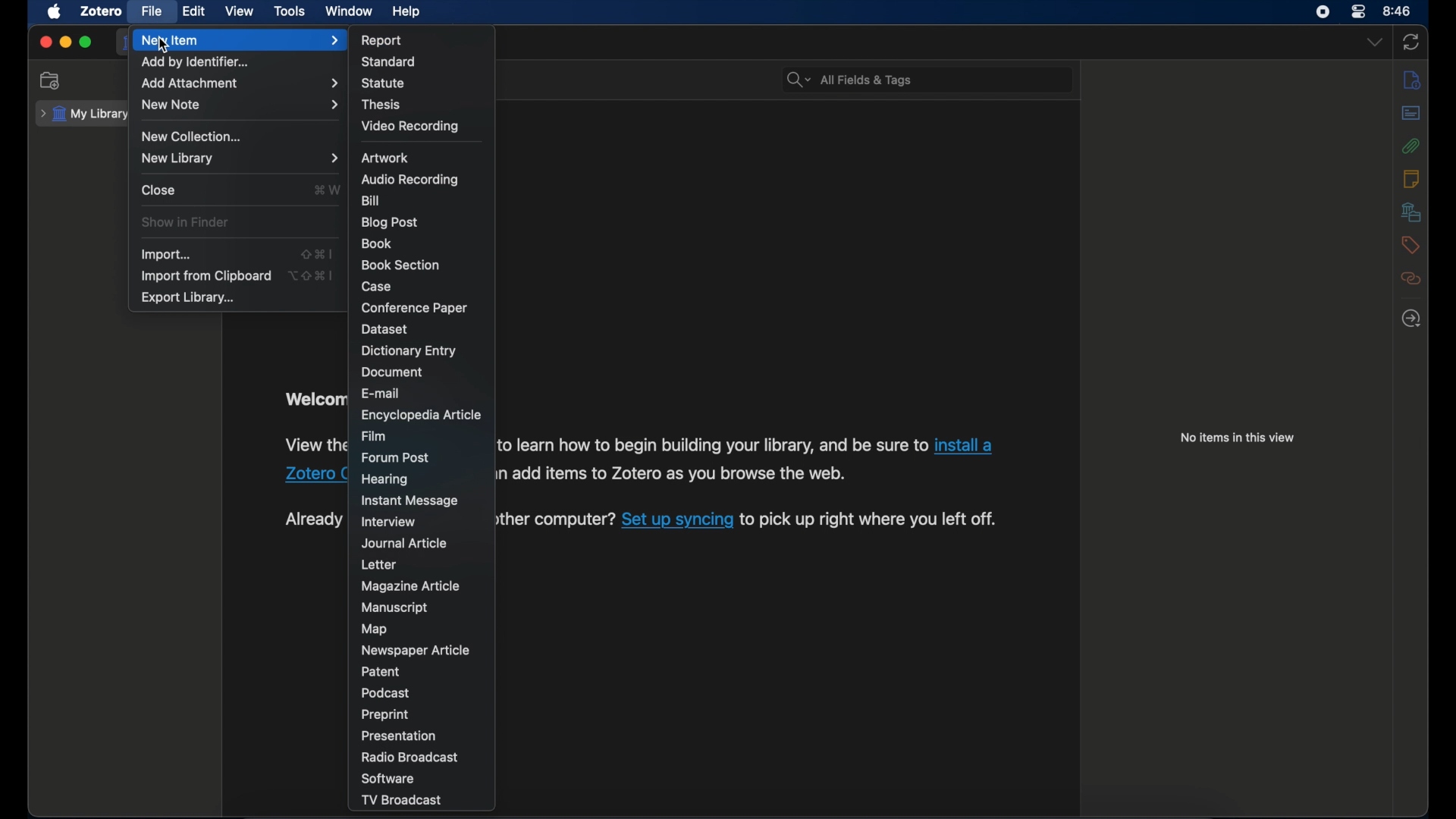 The height and width of the screenshot is (819, 1456). What do you see at coordinates (1414, 147) in the screenshot?
I see `attachments` at bounding box center [1414, 147].